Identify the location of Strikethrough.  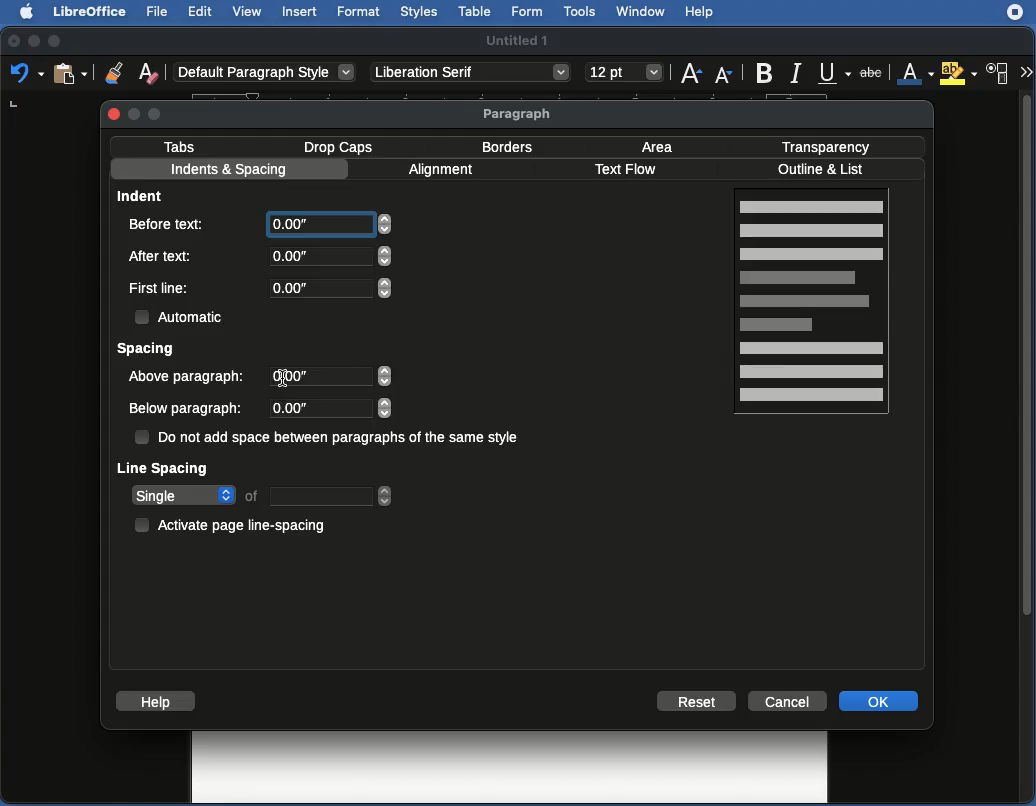
(875, 73).